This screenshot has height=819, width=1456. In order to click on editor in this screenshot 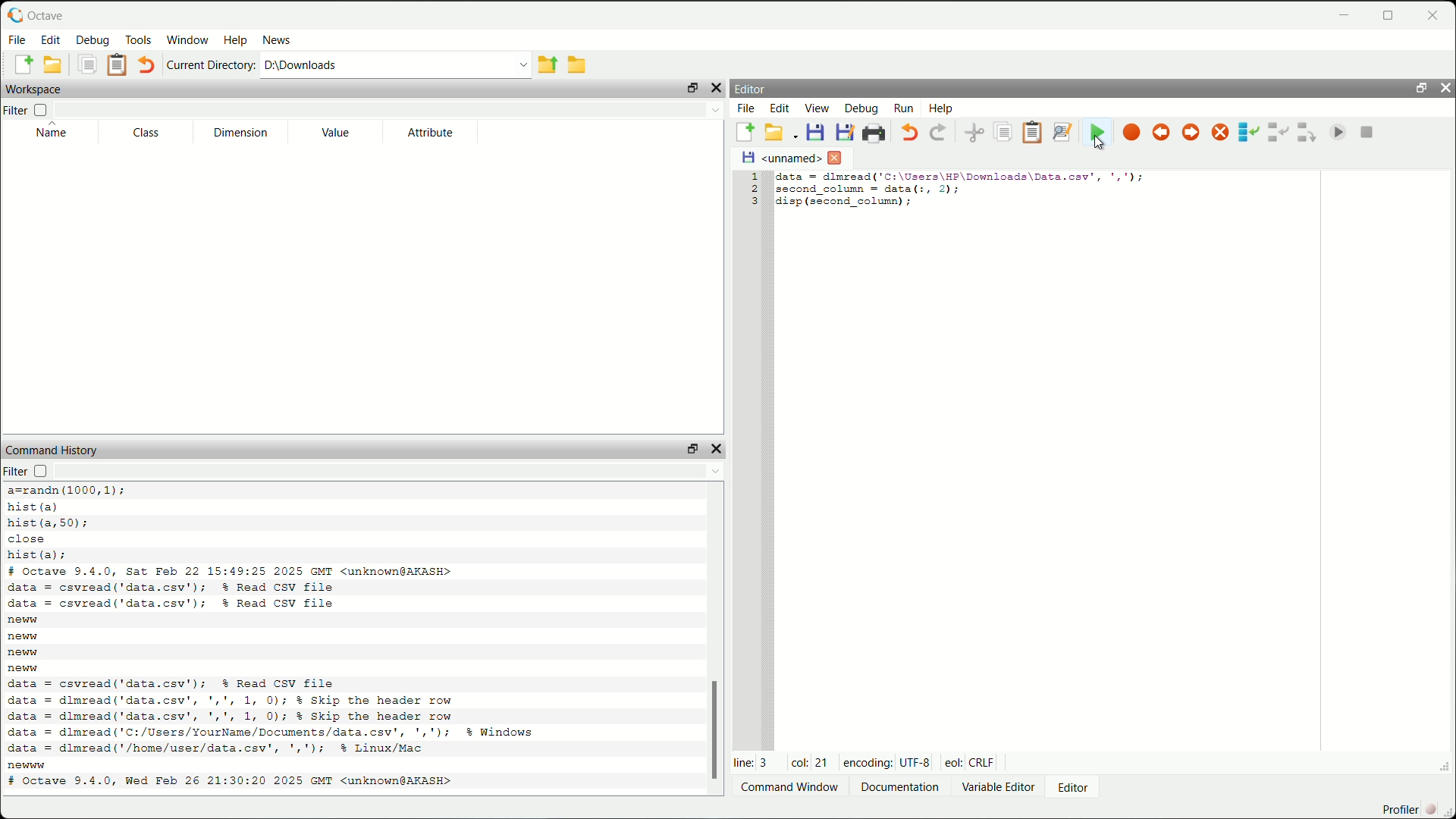, I will do `click(1083, 787)`.